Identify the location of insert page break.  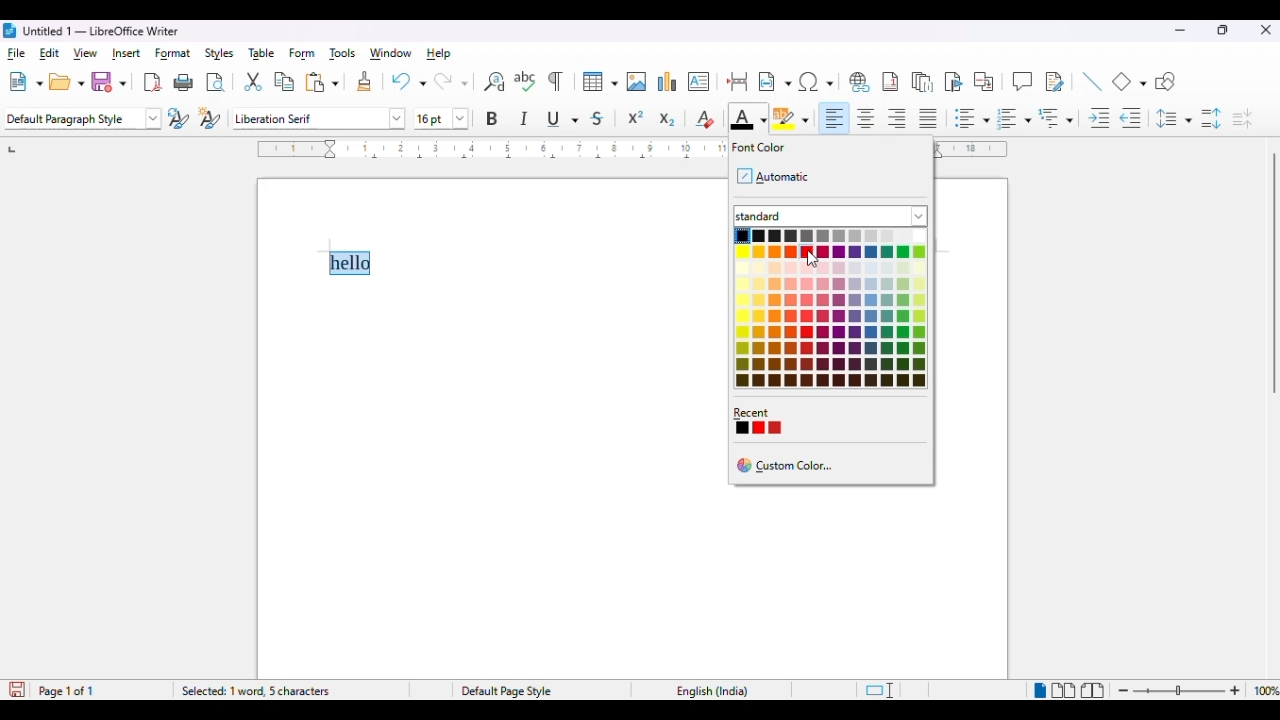
(738, 81).